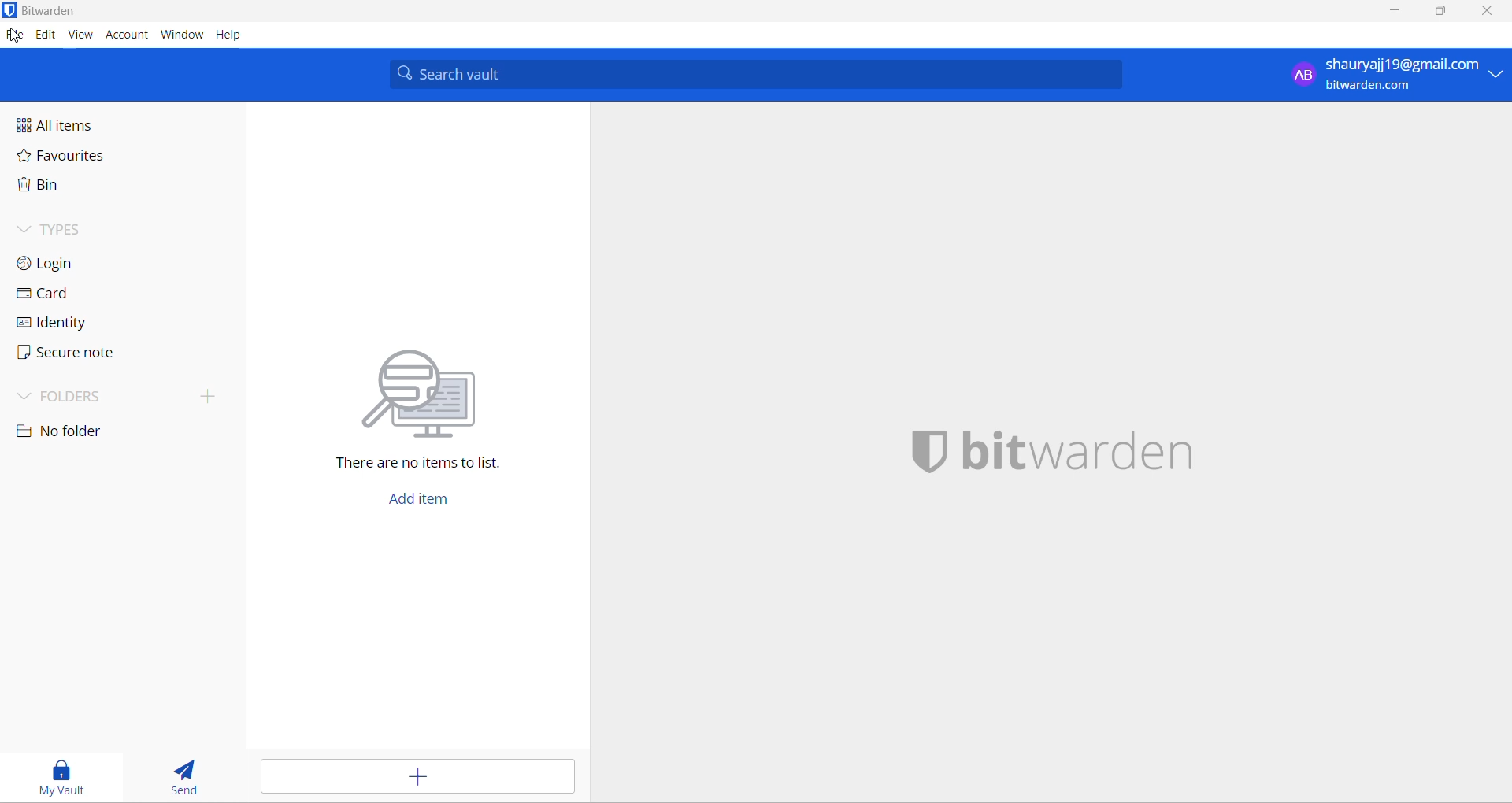 The image size is (1512, 803). What do you see at coordinates (107, 265) in the screenshot?
I see `login` at bounding box center [107, 265].